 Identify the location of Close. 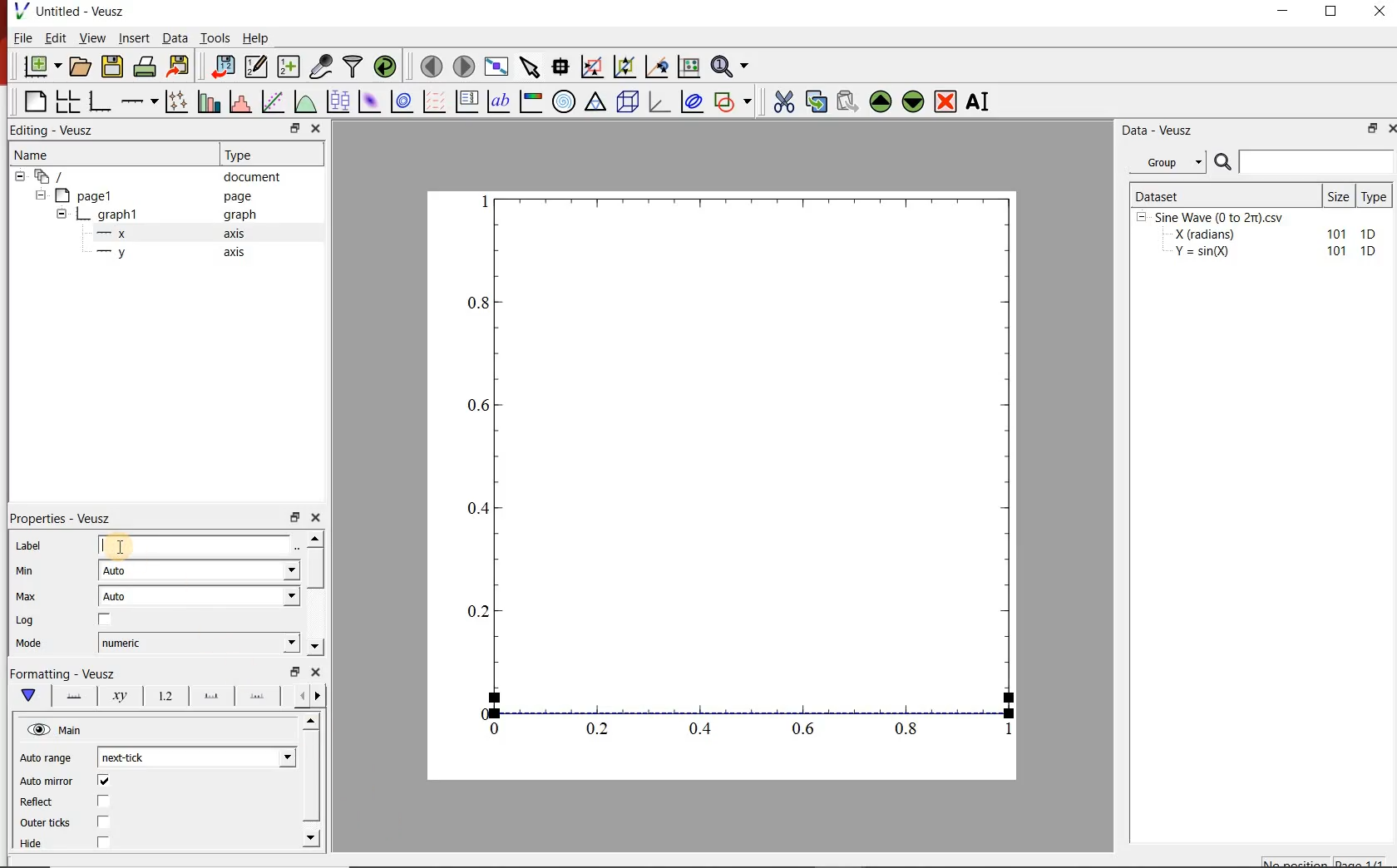
(1389, 131).